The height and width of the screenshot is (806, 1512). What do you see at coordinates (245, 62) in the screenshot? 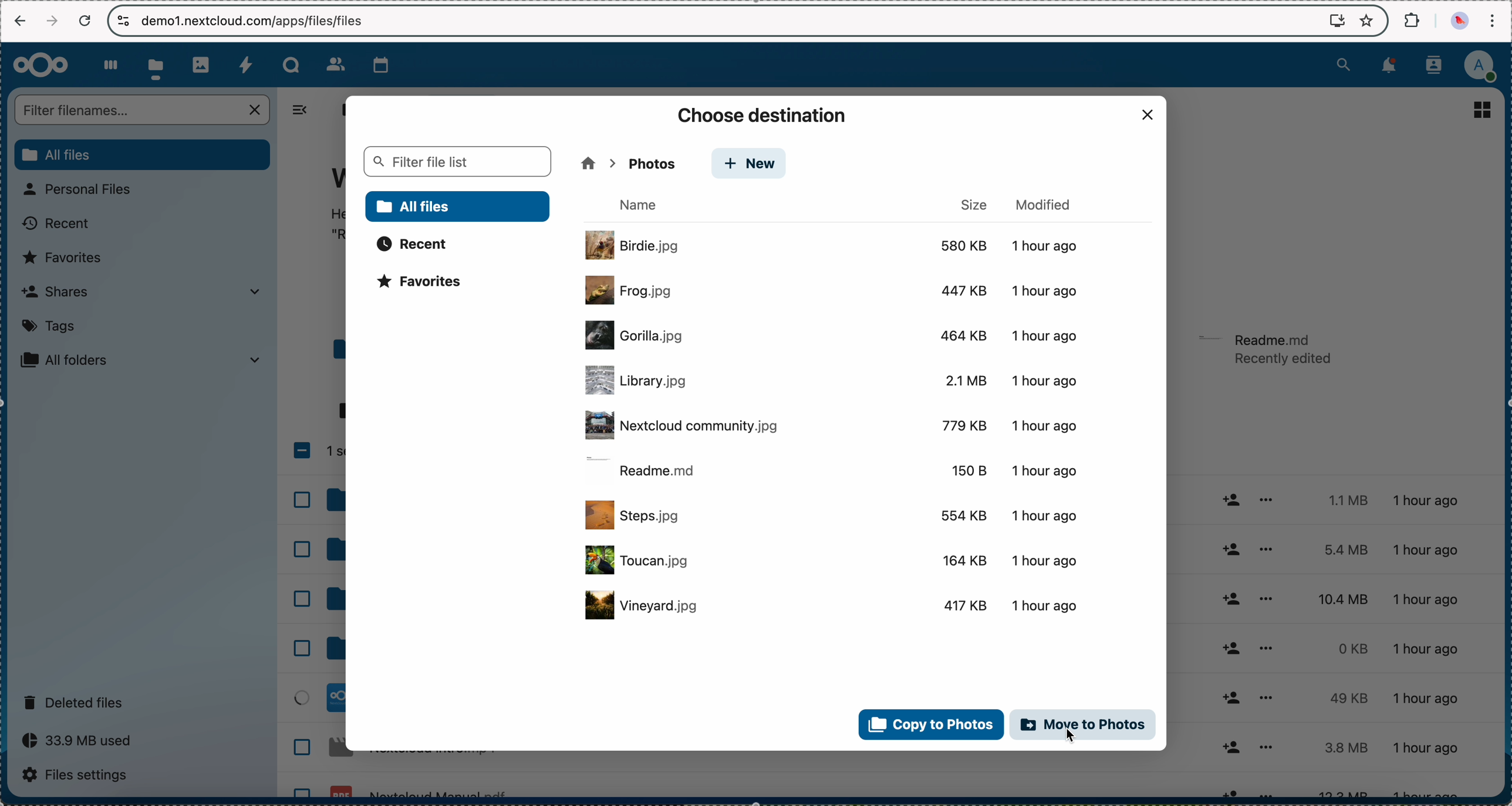
I see `activity` at bounding box center [245, 62].